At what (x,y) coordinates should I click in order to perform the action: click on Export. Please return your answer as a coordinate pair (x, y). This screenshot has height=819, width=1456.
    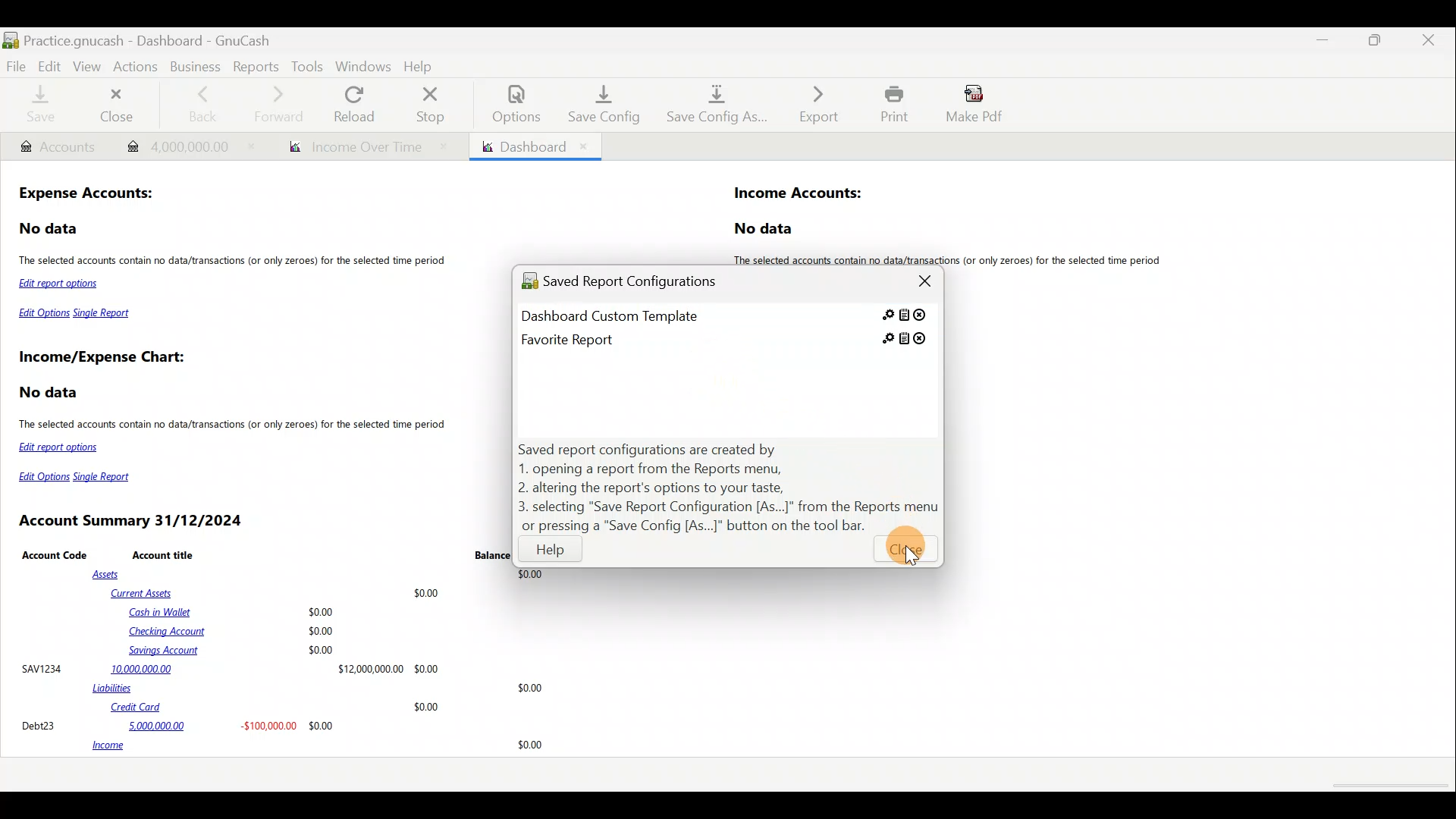
    Looking at the image, I should click on (811, 104).